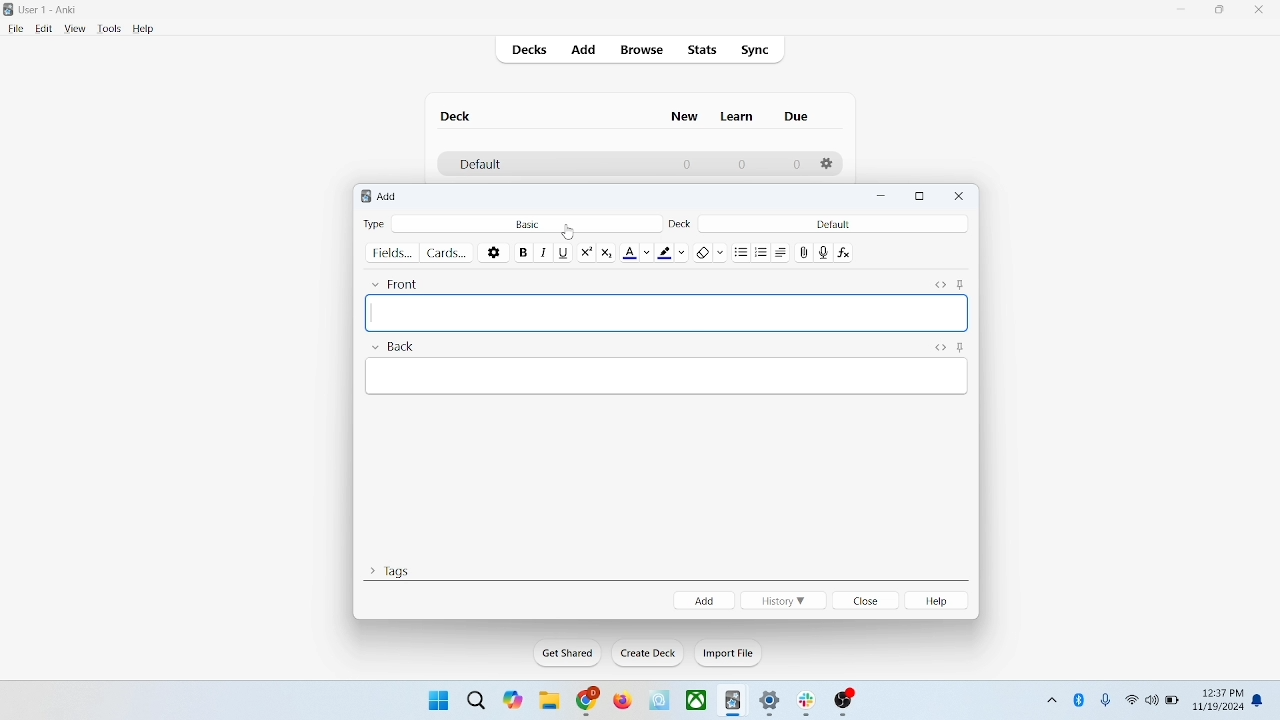 The height and width of the screenshot is (720, 1280). I want to click on view, so click(75, 29).